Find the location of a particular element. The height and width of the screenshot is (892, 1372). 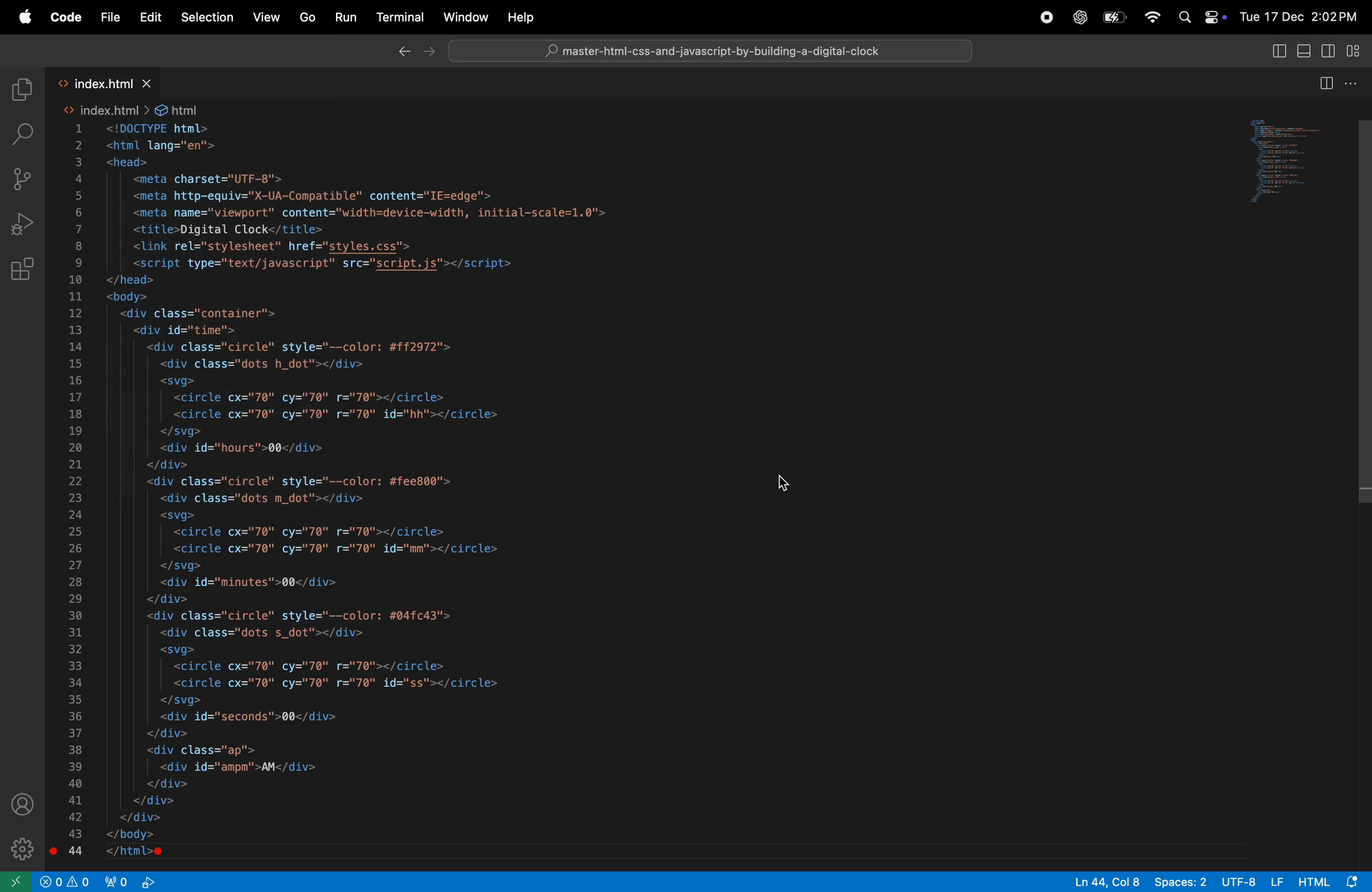

html alert is located at coordinates (1333, 880).